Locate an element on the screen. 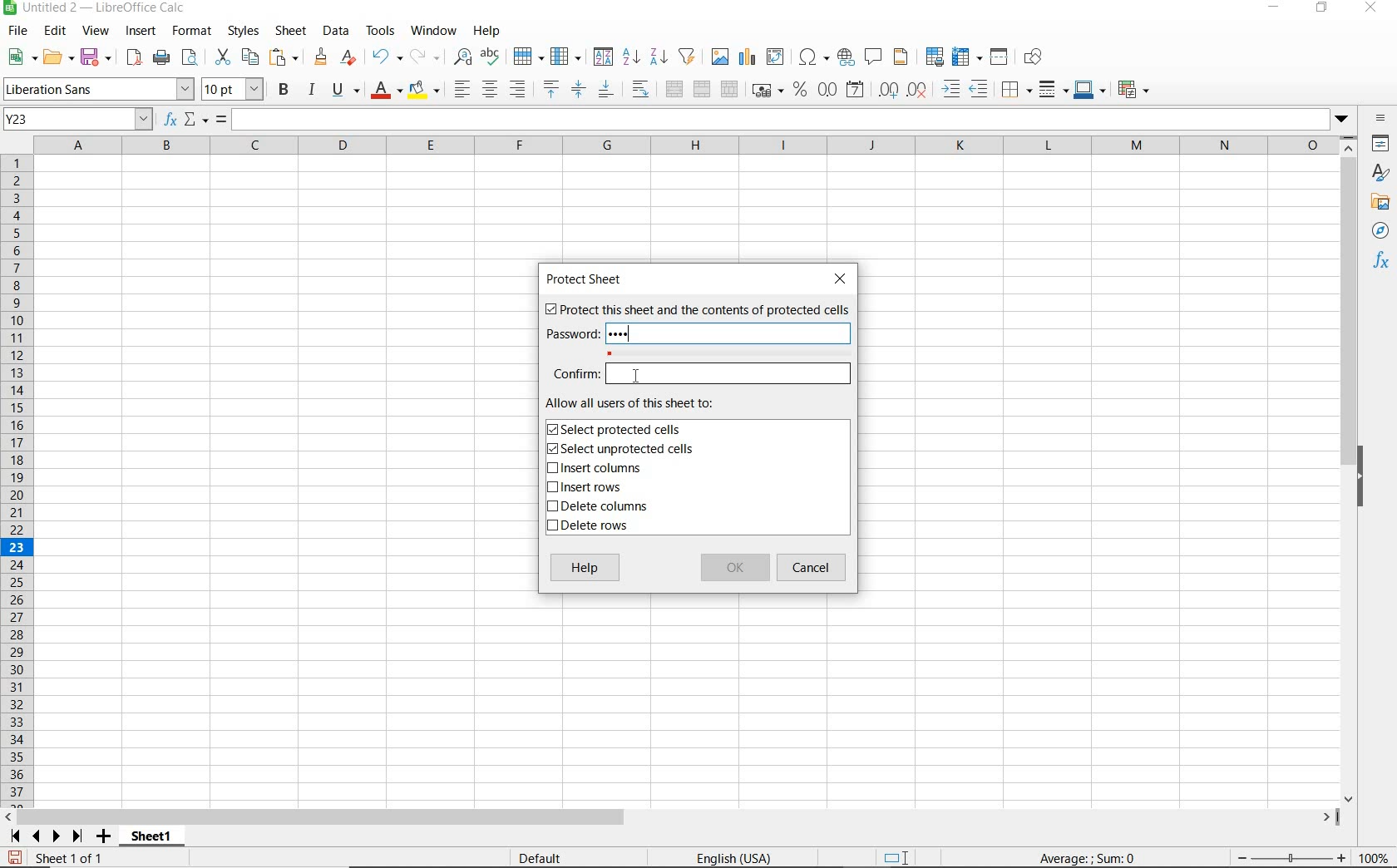  CLEAR DIRECT FORMATTING is located at coordinates (347, 57).